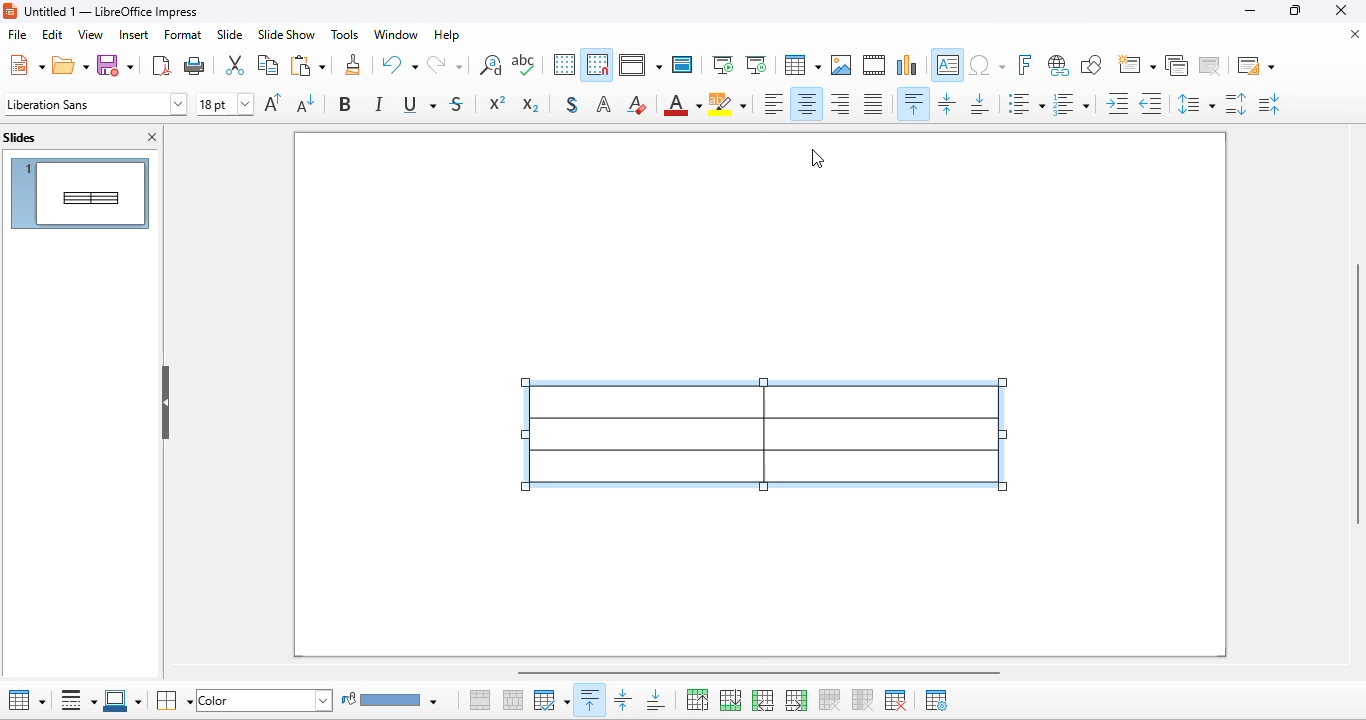 The image size is (1366, 720). Describe the element at coordinates (308, 65) in the screenshot. I see `paste` at that location.